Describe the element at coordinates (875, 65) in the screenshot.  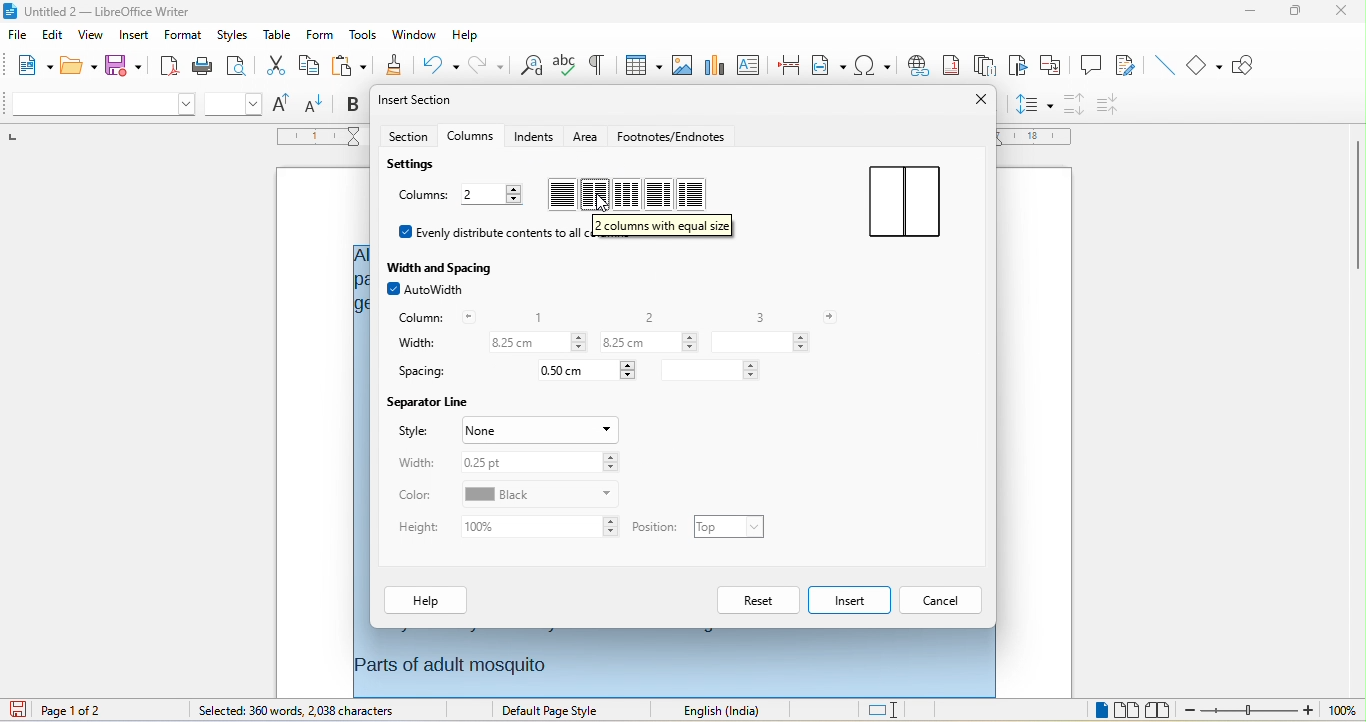
I see `special character` at that location.